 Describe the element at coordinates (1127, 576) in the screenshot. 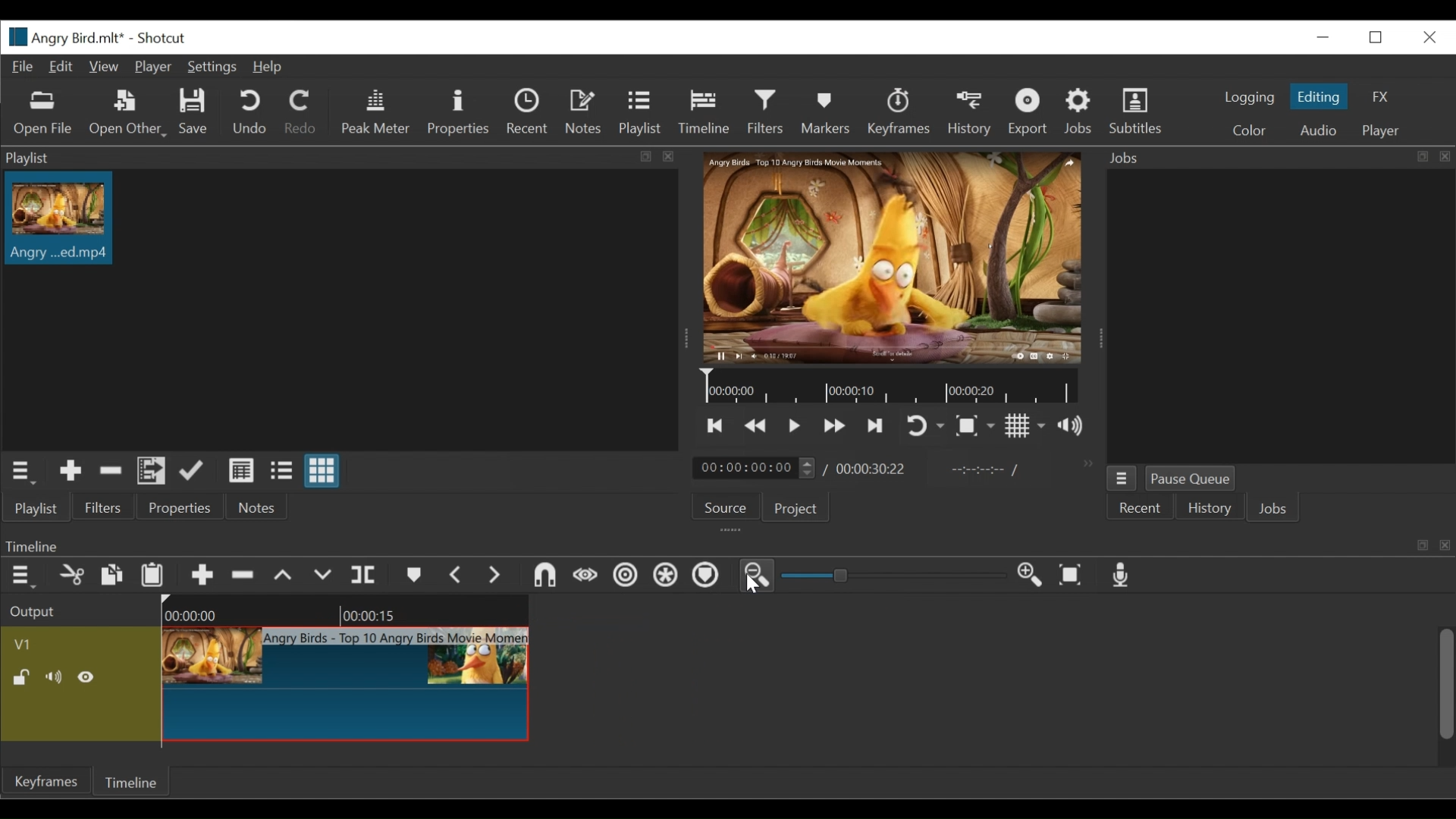

I see `Record audio` at that location.